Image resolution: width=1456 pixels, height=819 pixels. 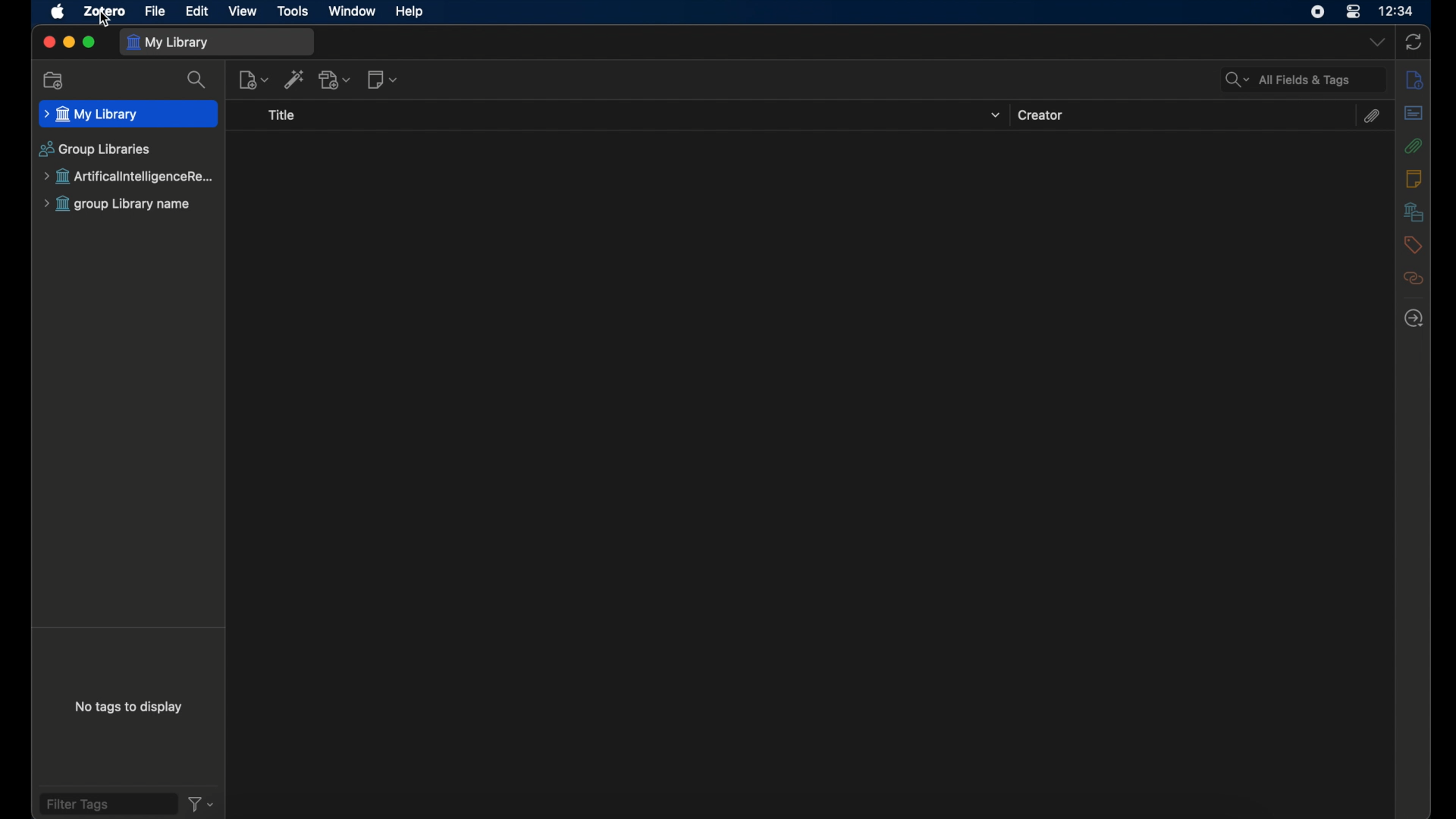 What do you see at coordinates (104, 11) in the screenshot?
I see `zotero` at bounding box center [104, 11].